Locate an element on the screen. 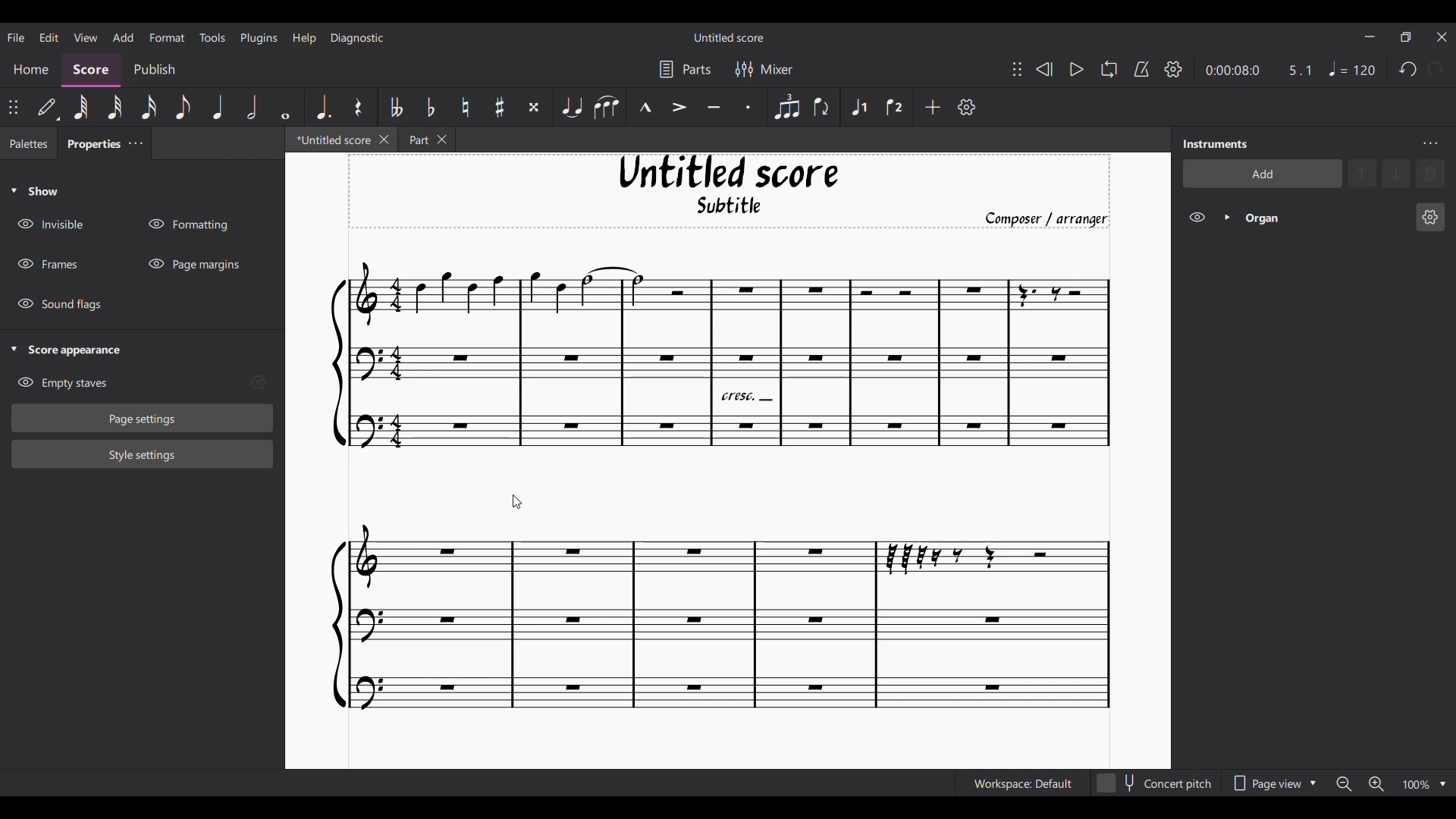 The height and width of the screenshot is (819, 1456). Score section is located at coordinates (91, 68).